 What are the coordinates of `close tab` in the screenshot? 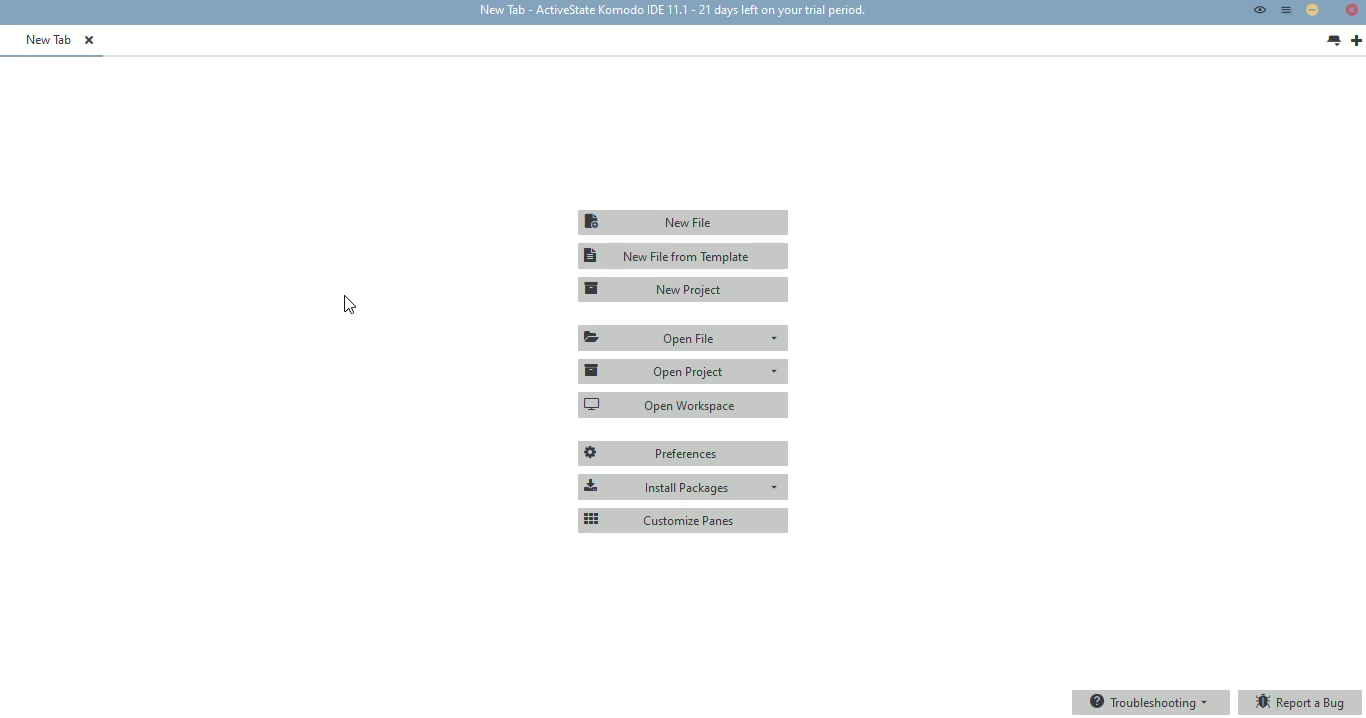 It's located at (89, 40).